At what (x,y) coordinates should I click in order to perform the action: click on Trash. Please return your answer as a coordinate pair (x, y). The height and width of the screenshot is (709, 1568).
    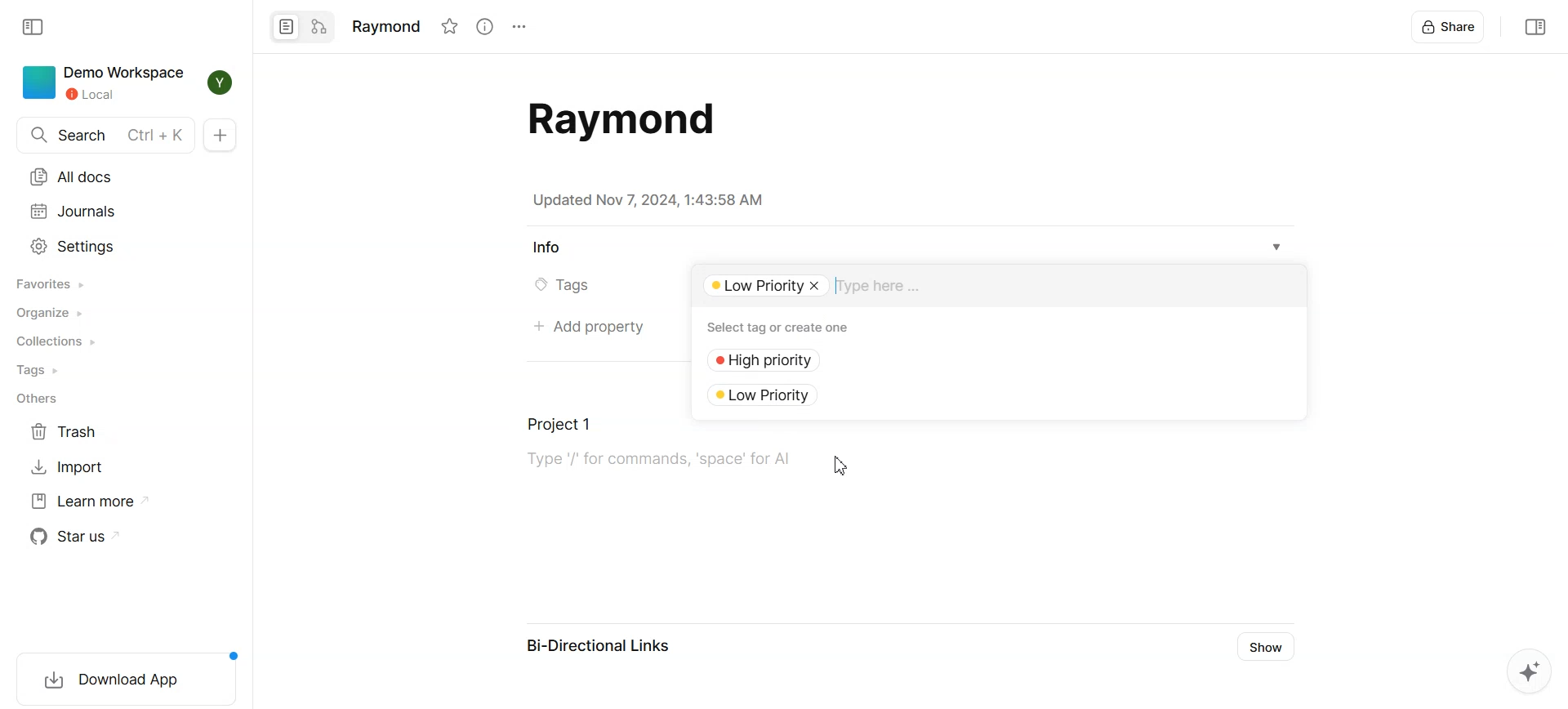
    Looking at the image, I should click on (68, 432).